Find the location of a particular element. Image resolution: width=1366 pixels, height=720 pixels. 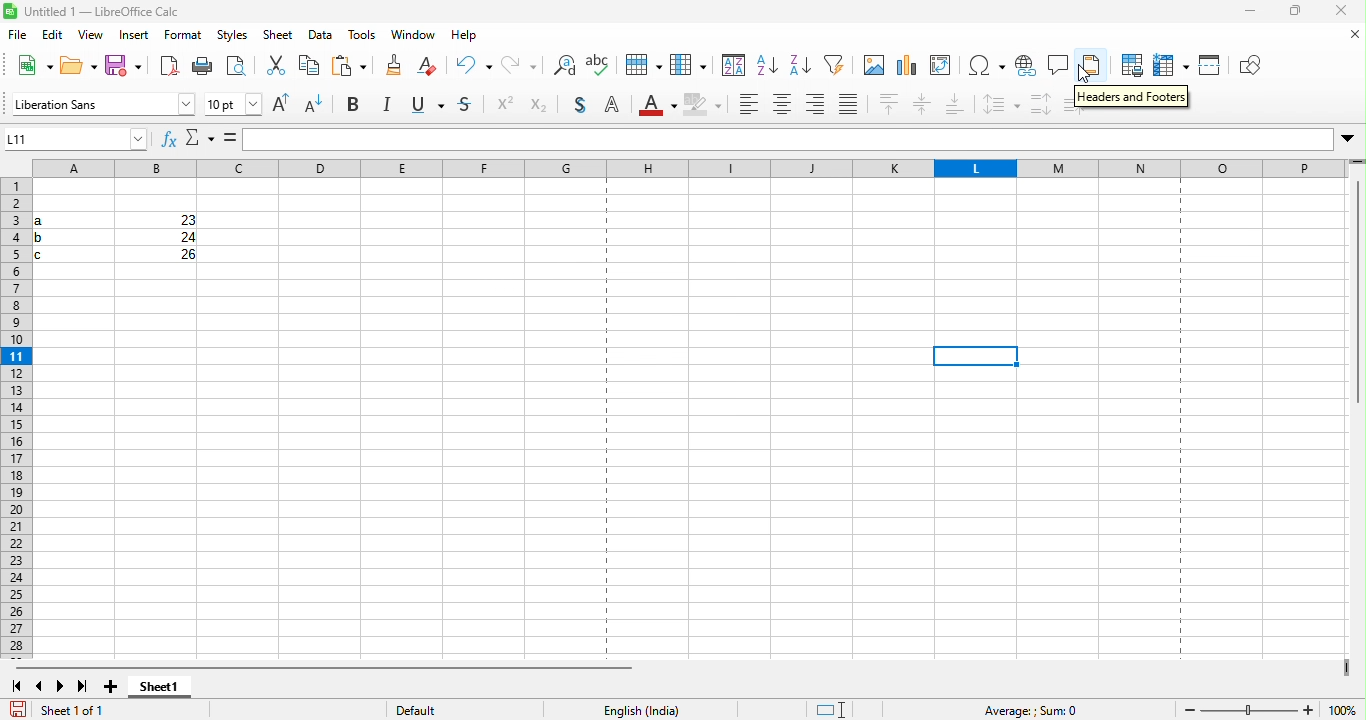

maximize is located at coordinates (1296, 13).